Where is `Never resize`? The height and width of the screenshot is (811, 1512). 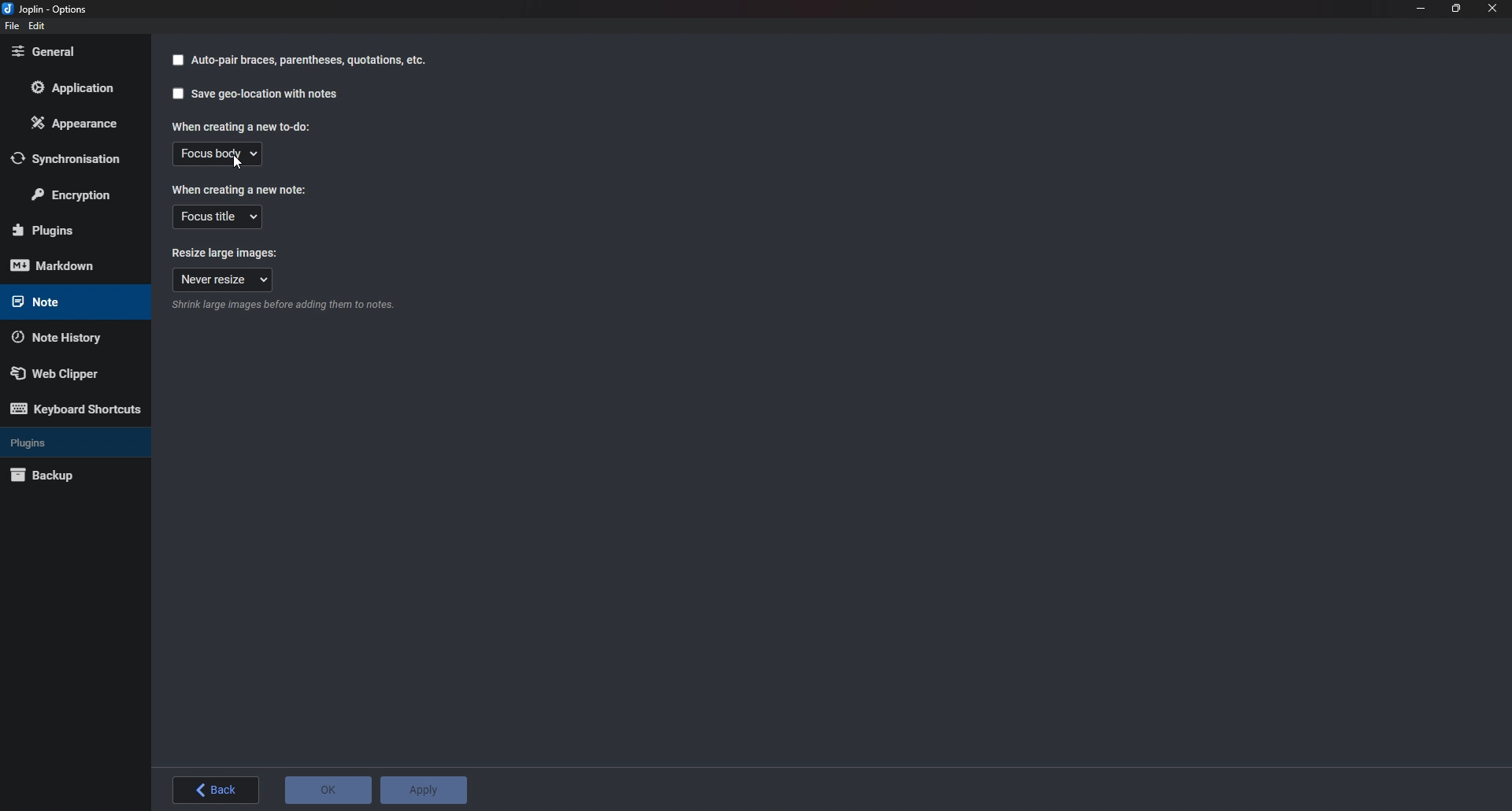 Never resize is located at coordinates (224, 280).